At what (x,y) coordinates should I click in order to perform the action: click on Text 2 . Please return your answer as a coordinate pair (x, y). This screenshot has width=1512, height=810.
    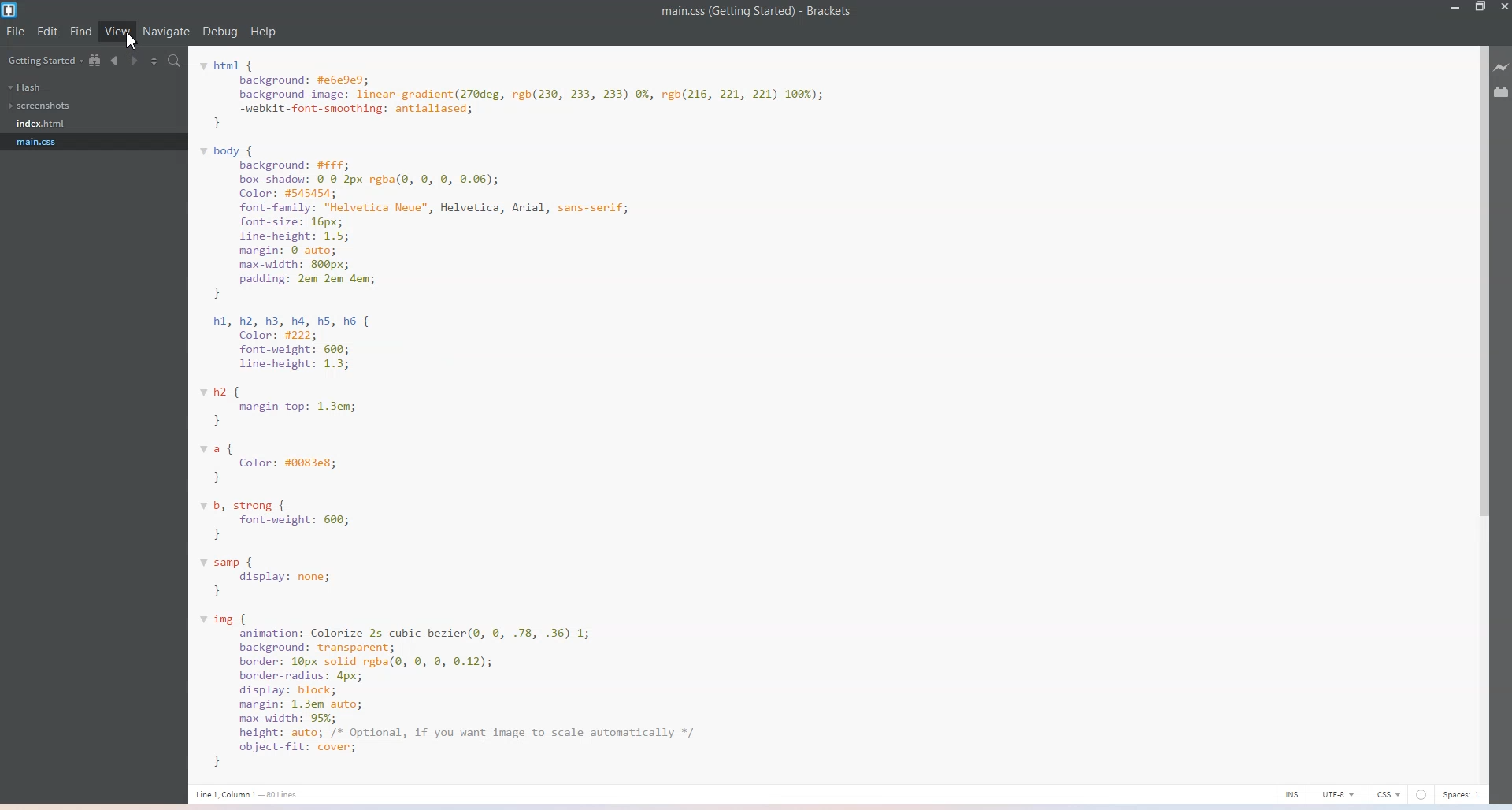
    Looking at the image, I should click on (571, 409).